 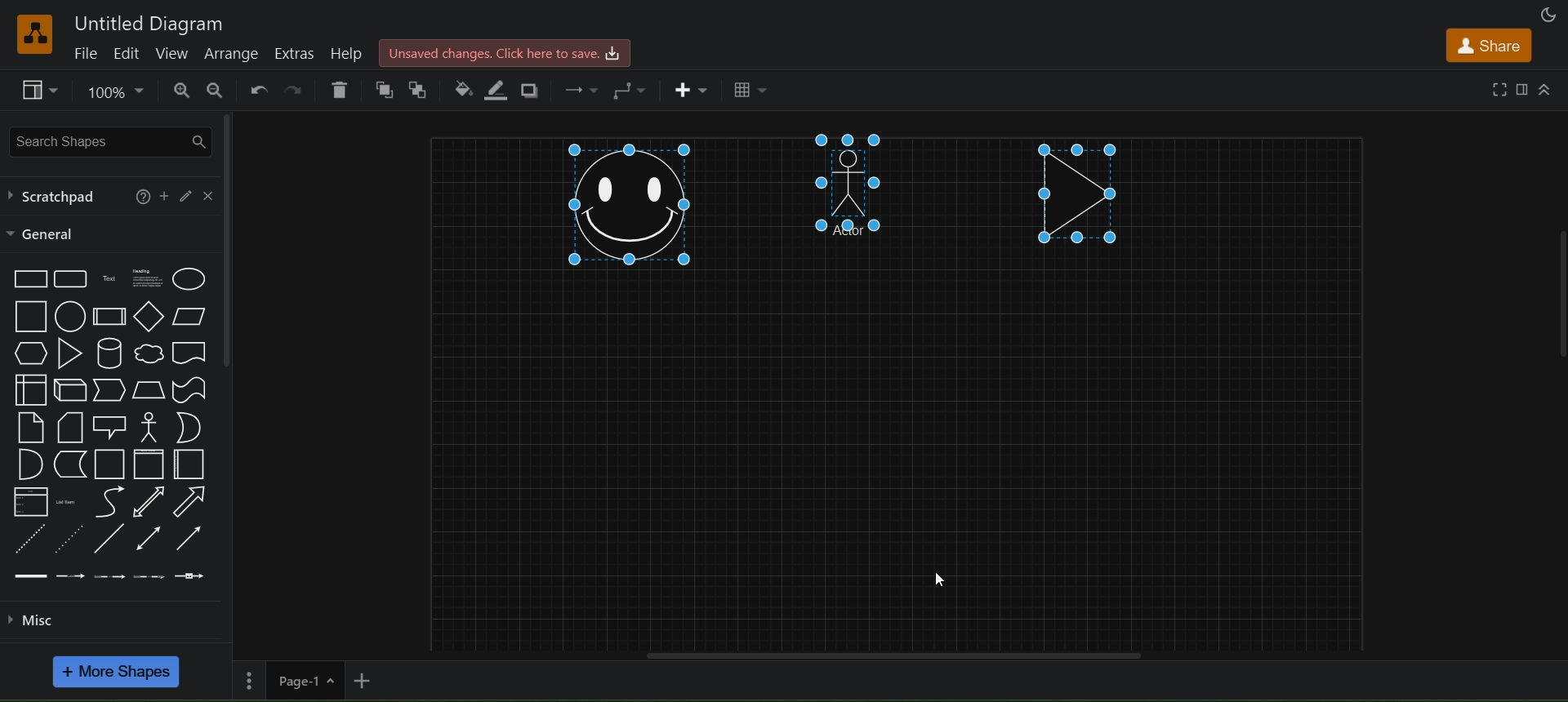 I want to click on text, so click(x=107, y=280).